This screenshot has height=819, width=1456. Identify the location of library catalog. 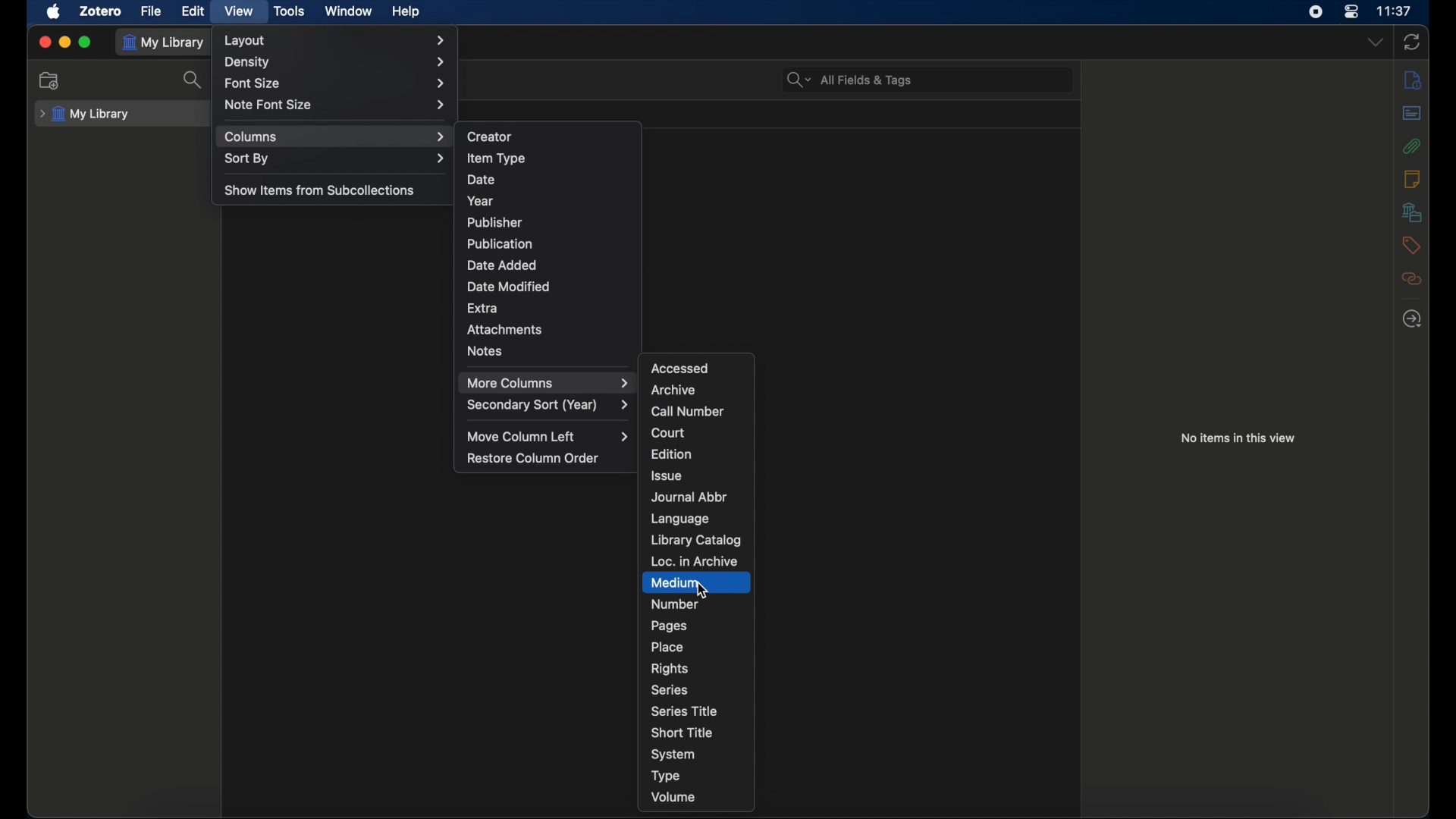
(696, 540).